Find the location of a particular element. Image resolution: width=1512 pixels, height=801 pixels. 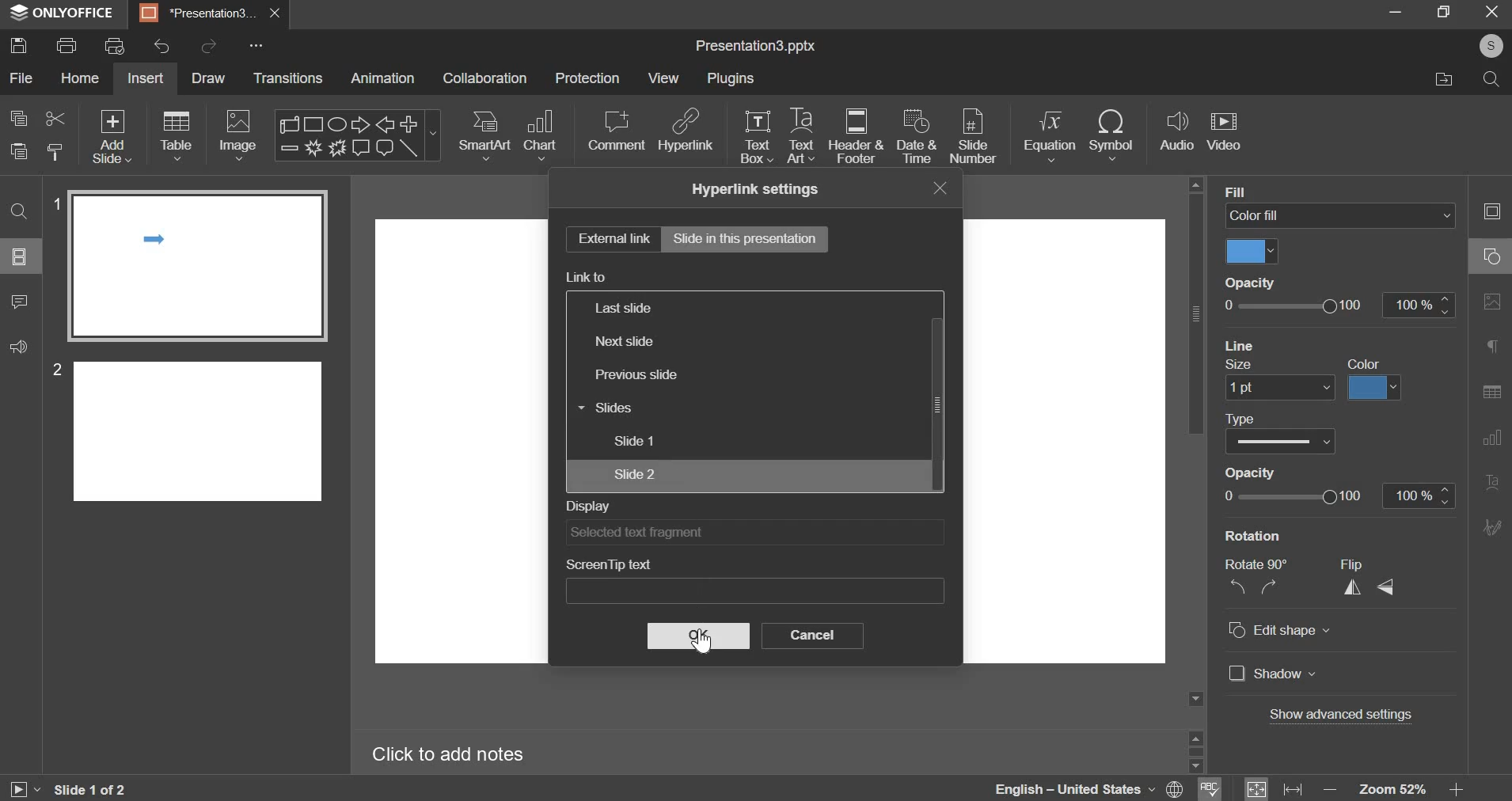

symbol is located at coordinates (1111, 135).